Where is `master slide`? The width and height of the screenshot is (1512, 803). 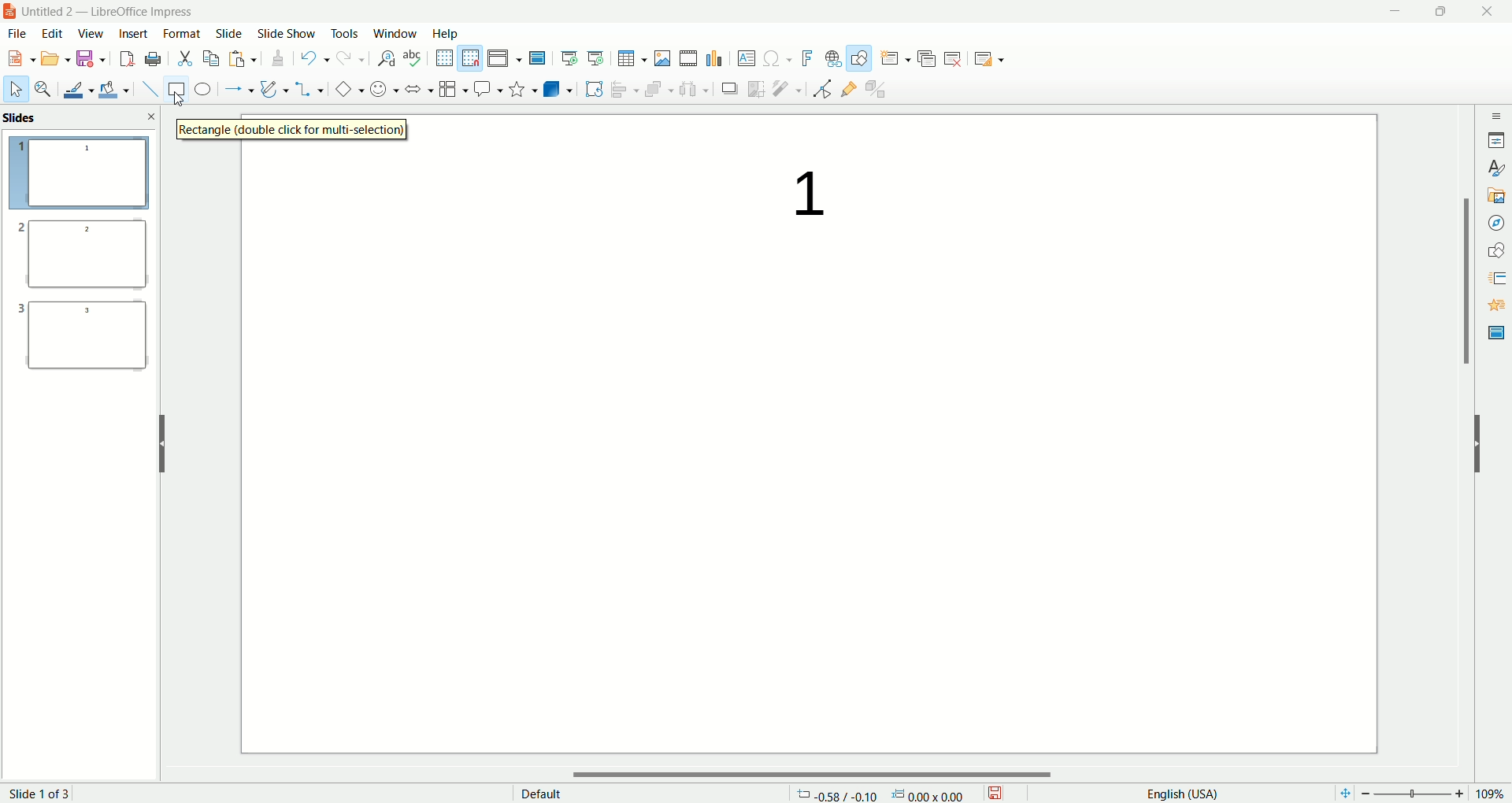 master slide is located at coordinates (1494, 333).